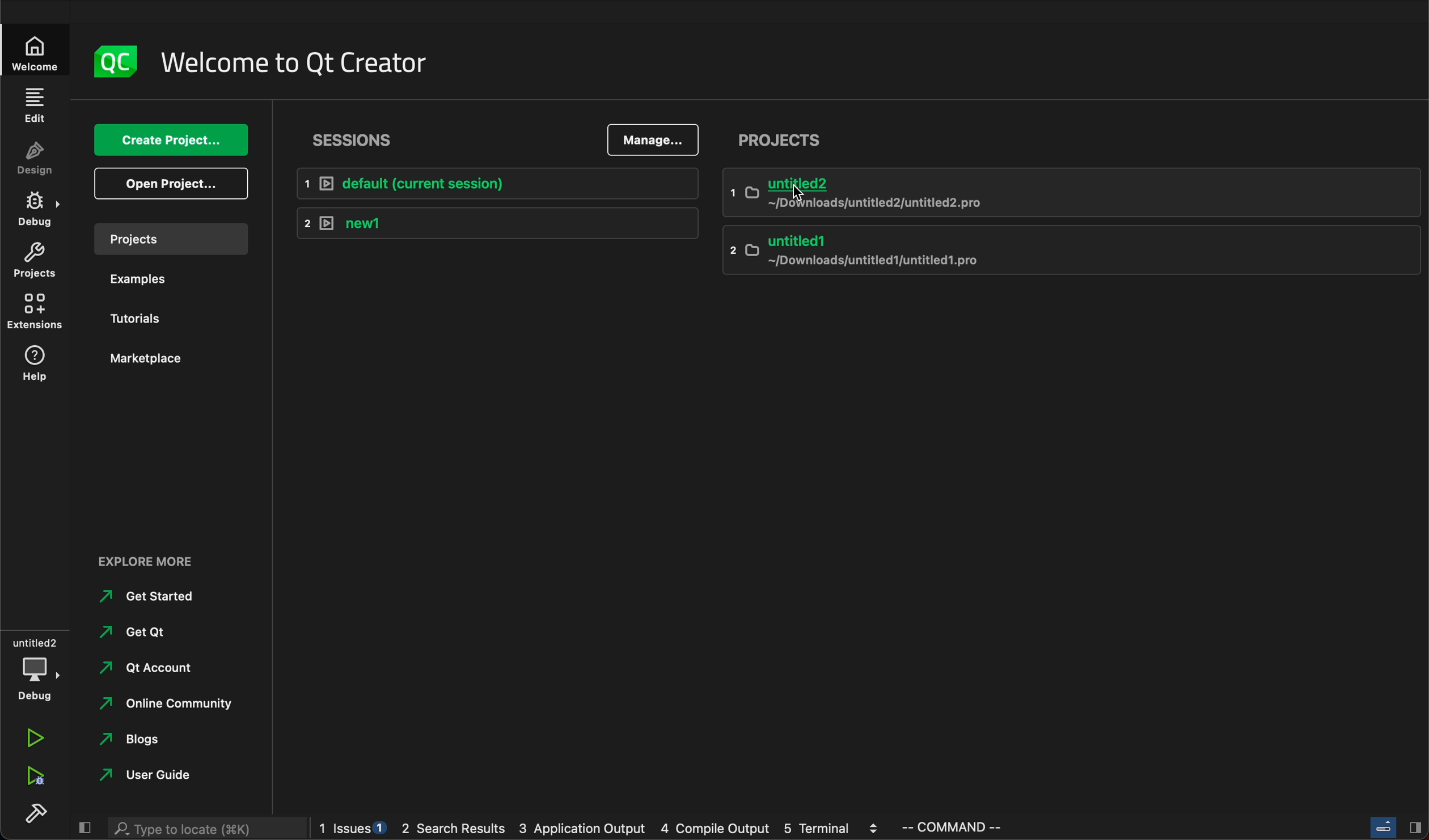 The width and height of the screenshot is (1429, 840). Describe the element at coordinates (663, 828) in the screenshot. I see `logs` at that location.